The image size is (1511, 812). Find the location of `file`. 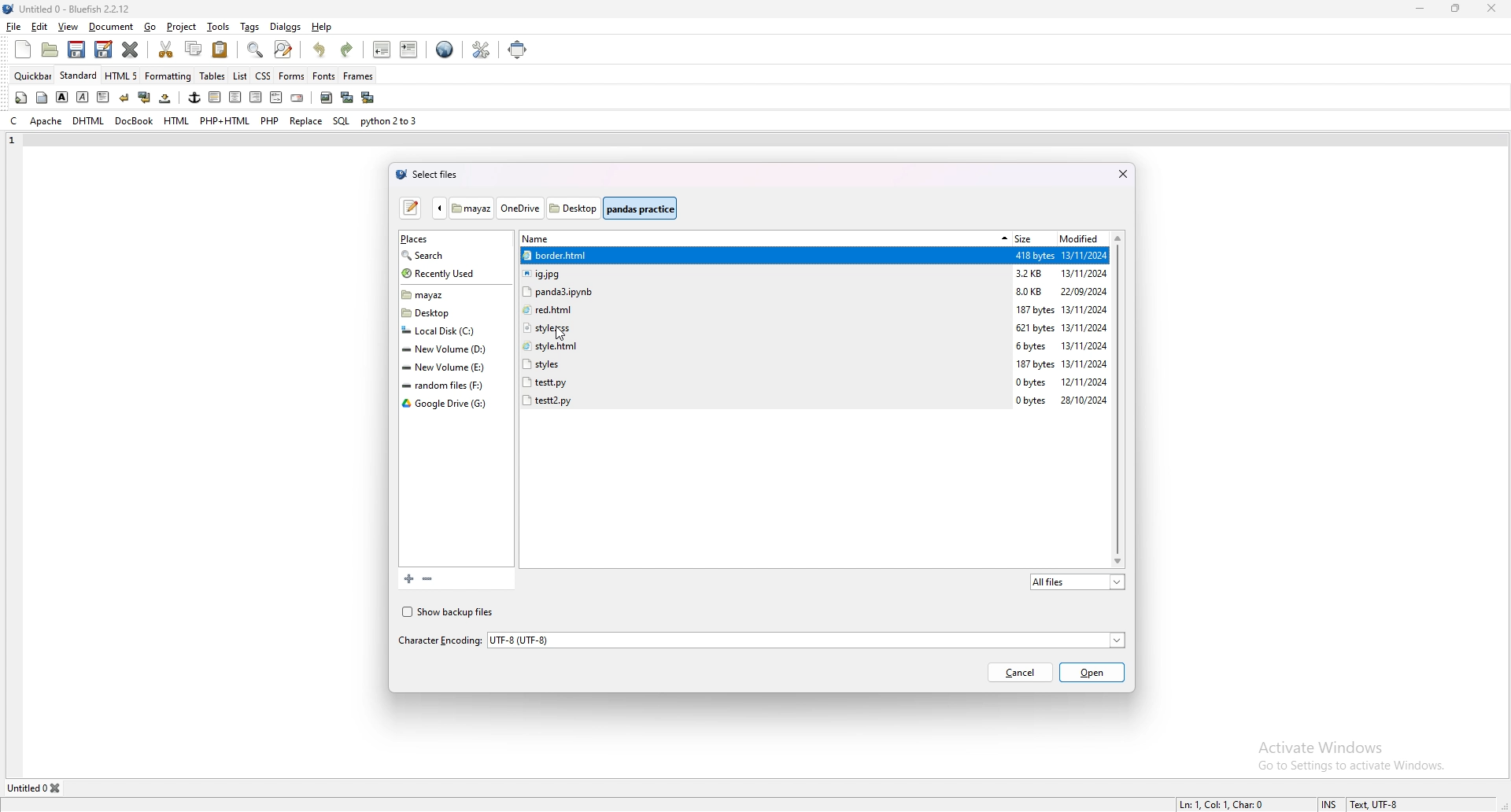

file is located at coordinates (763, 381).